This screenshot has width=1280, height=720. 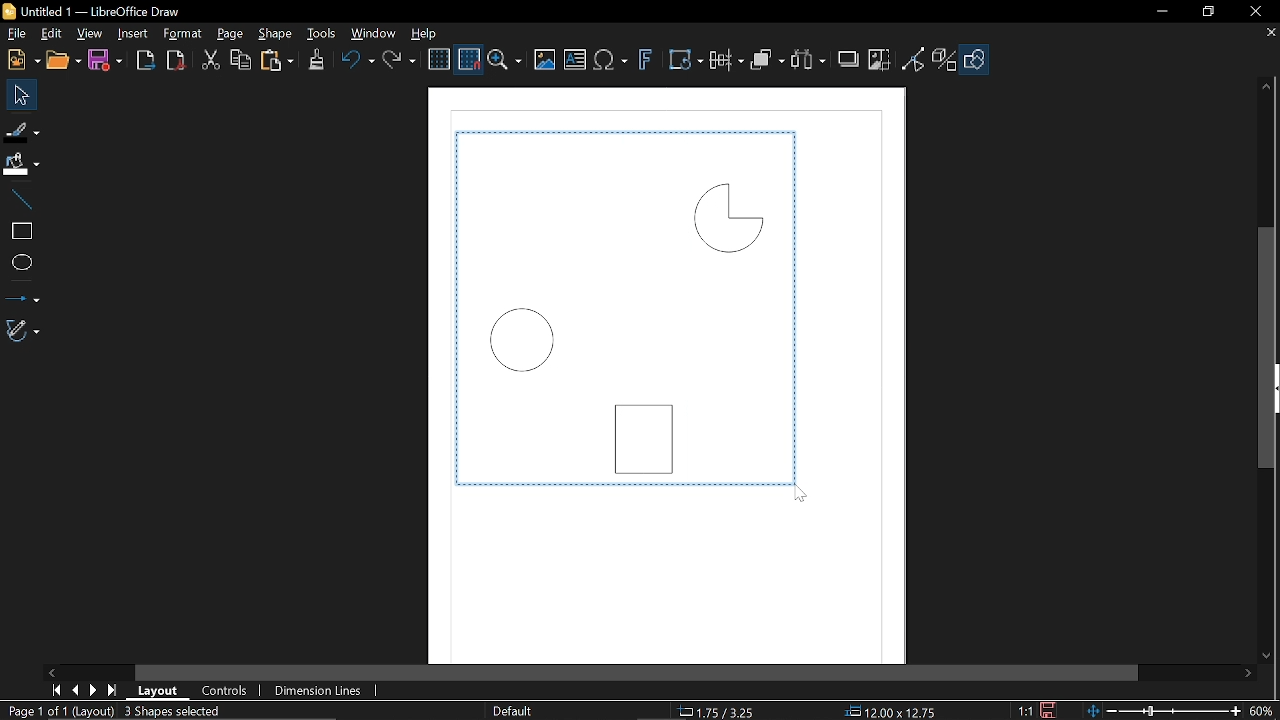 I want to click on REstore down, so click(x=1211, y=15).